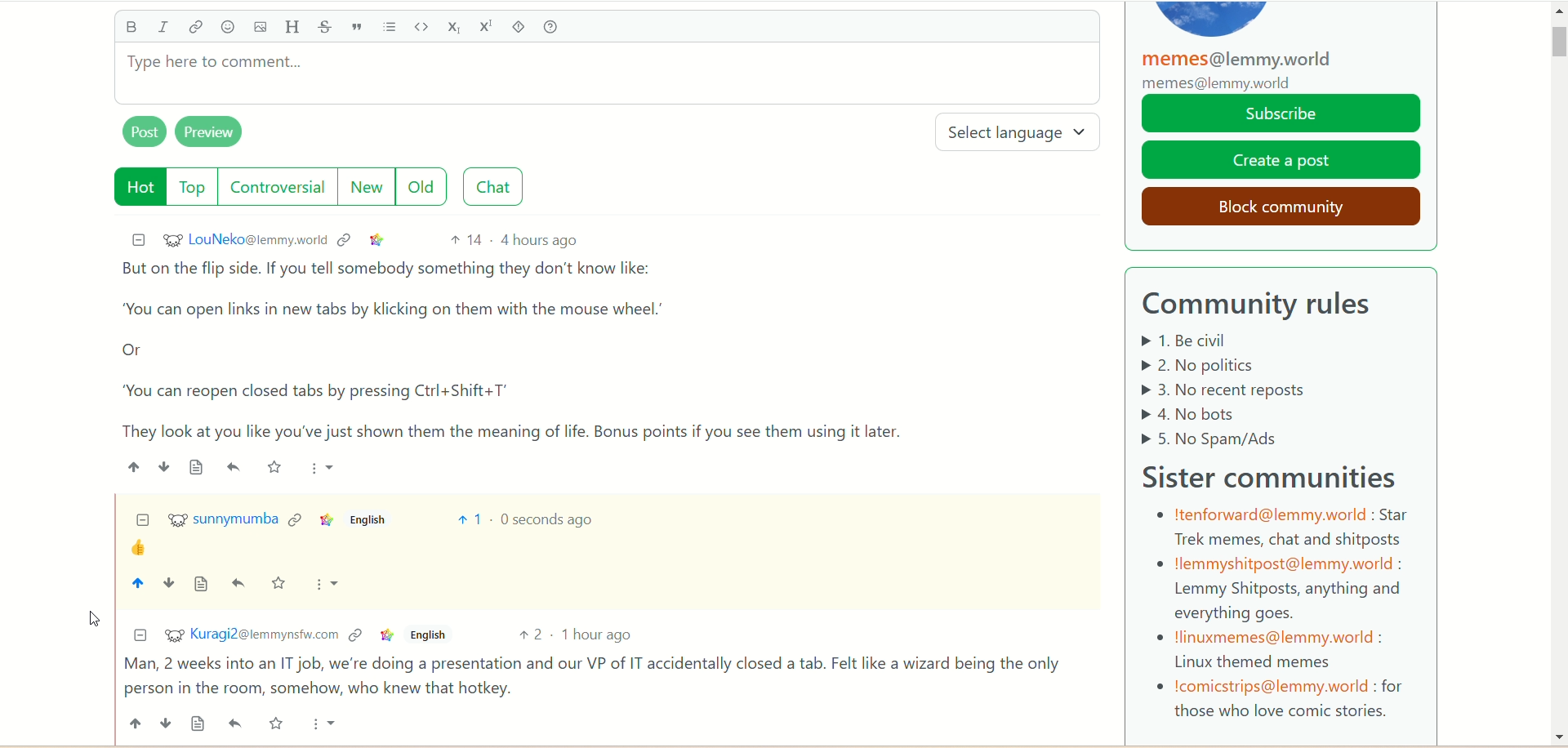 The height and width of the screenshot is (748, 1568). I want to click on new, so click(369, 187).